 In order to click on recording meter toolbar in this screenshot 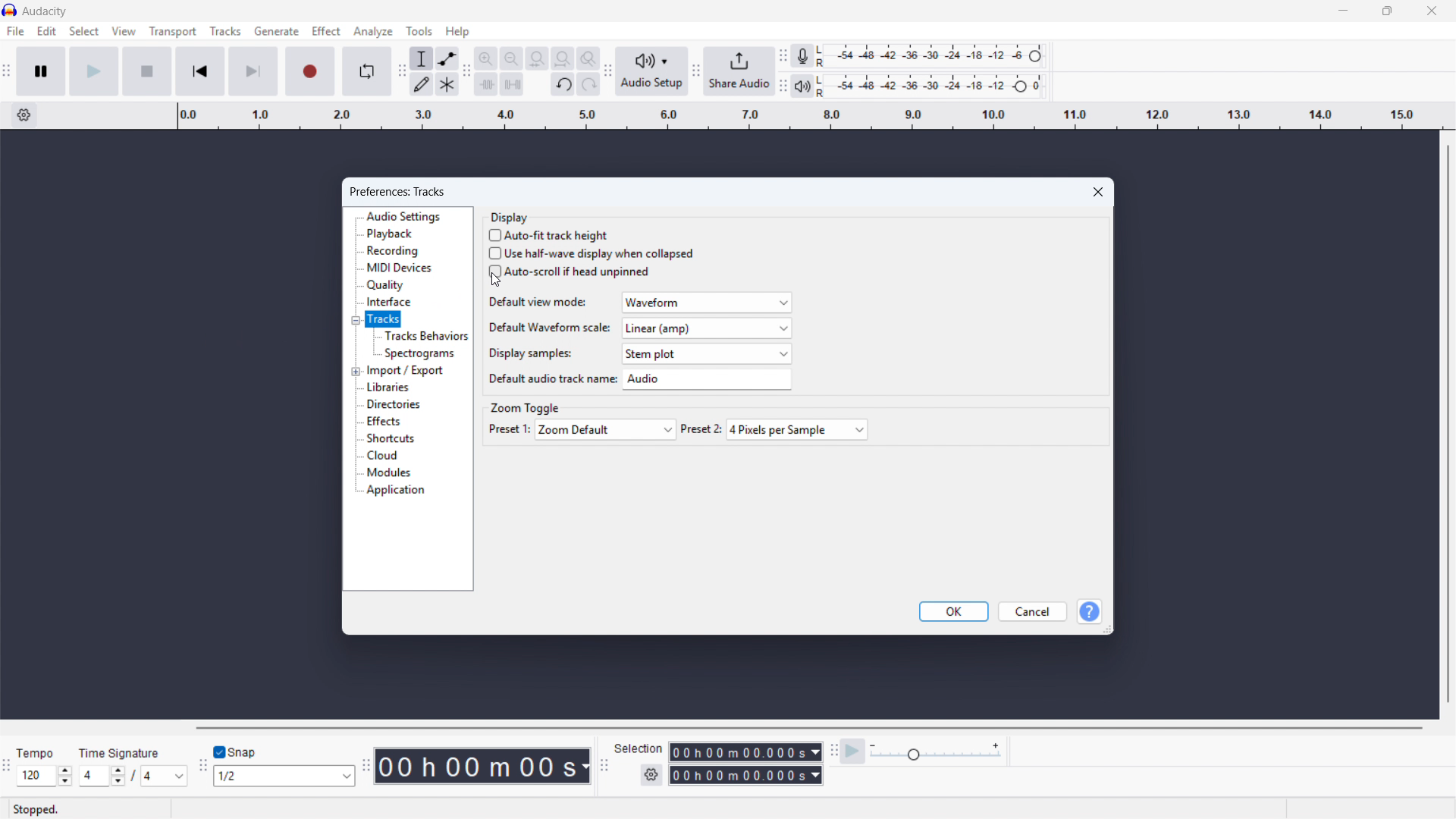, I will do `click(783, 55)`.